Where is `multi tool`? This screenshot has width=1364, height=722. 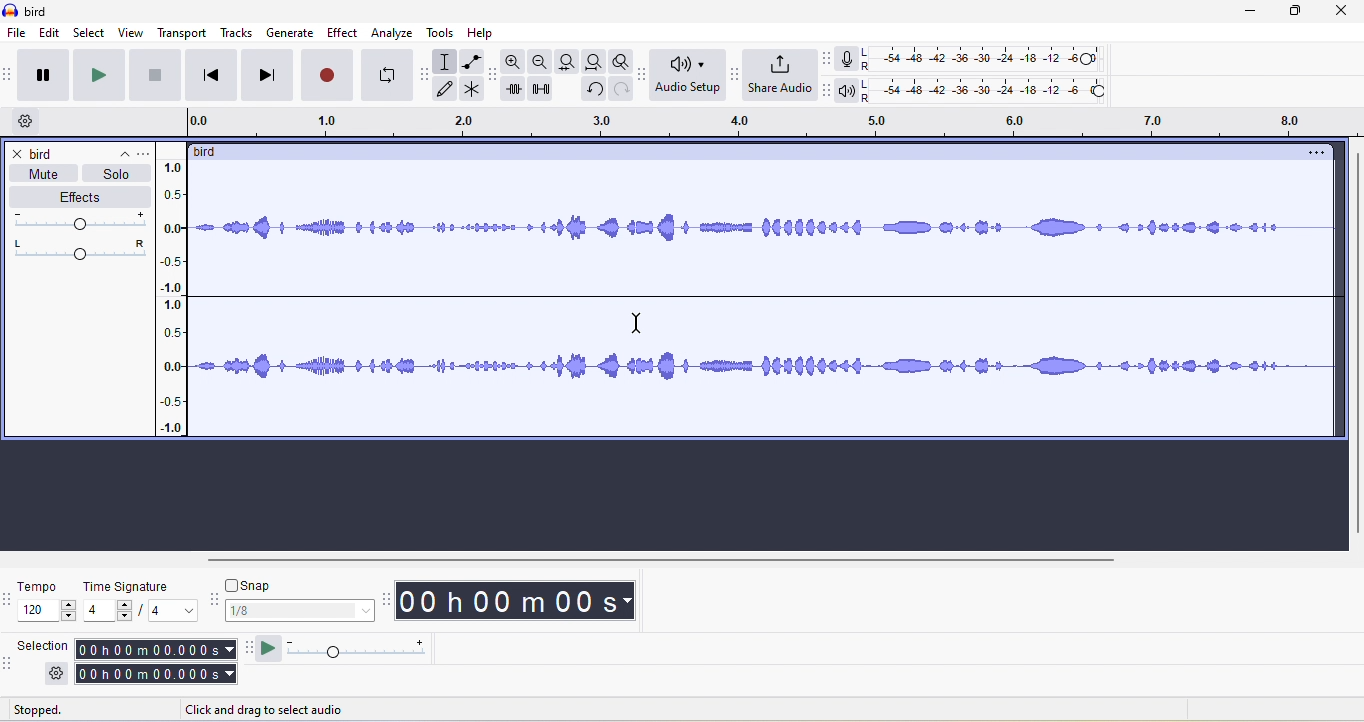 multi tool is located at coordinates (474, 91).